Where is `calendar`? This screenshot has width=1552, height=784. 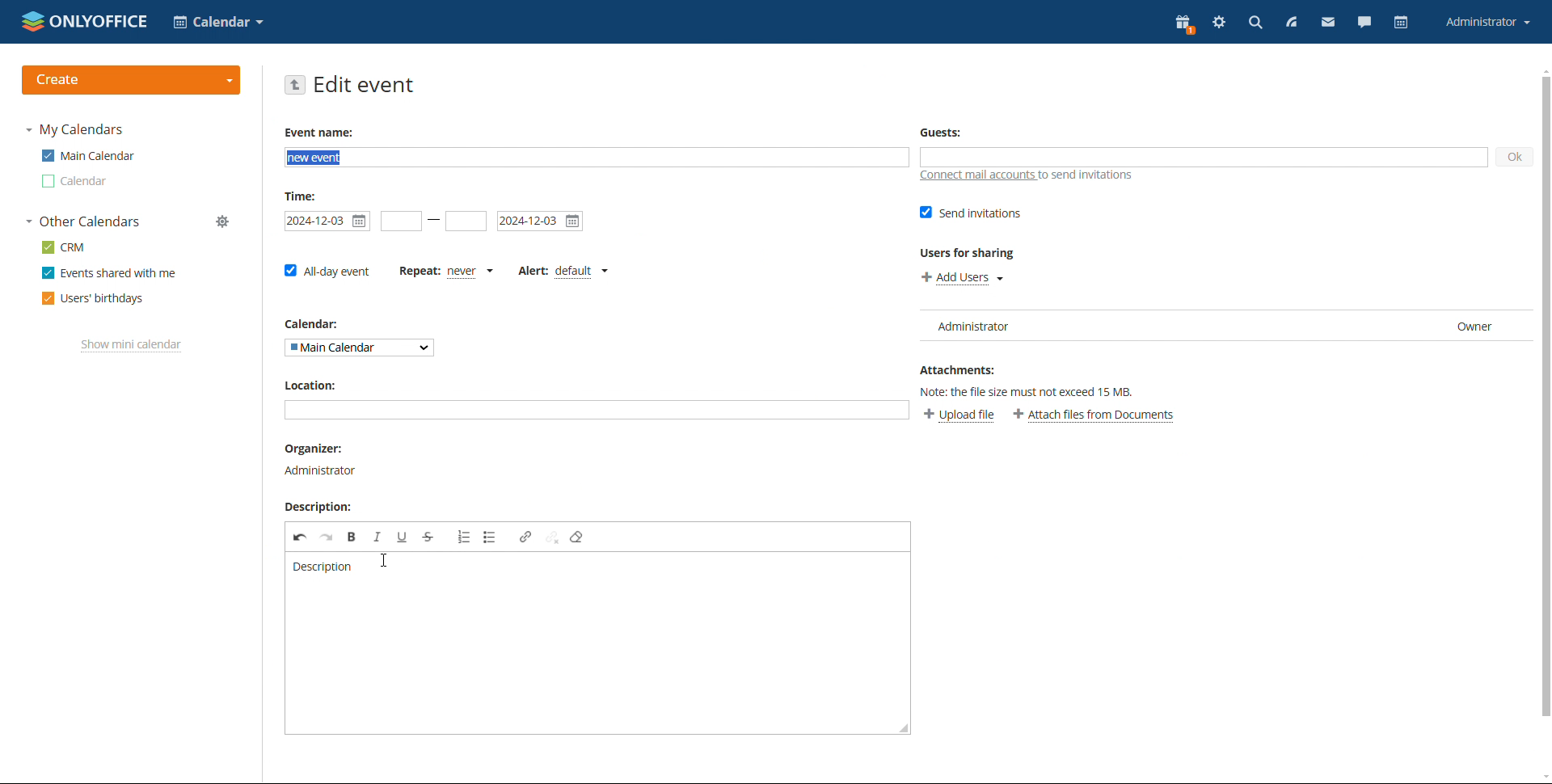 calendar is located at coordinates (1403, 23).